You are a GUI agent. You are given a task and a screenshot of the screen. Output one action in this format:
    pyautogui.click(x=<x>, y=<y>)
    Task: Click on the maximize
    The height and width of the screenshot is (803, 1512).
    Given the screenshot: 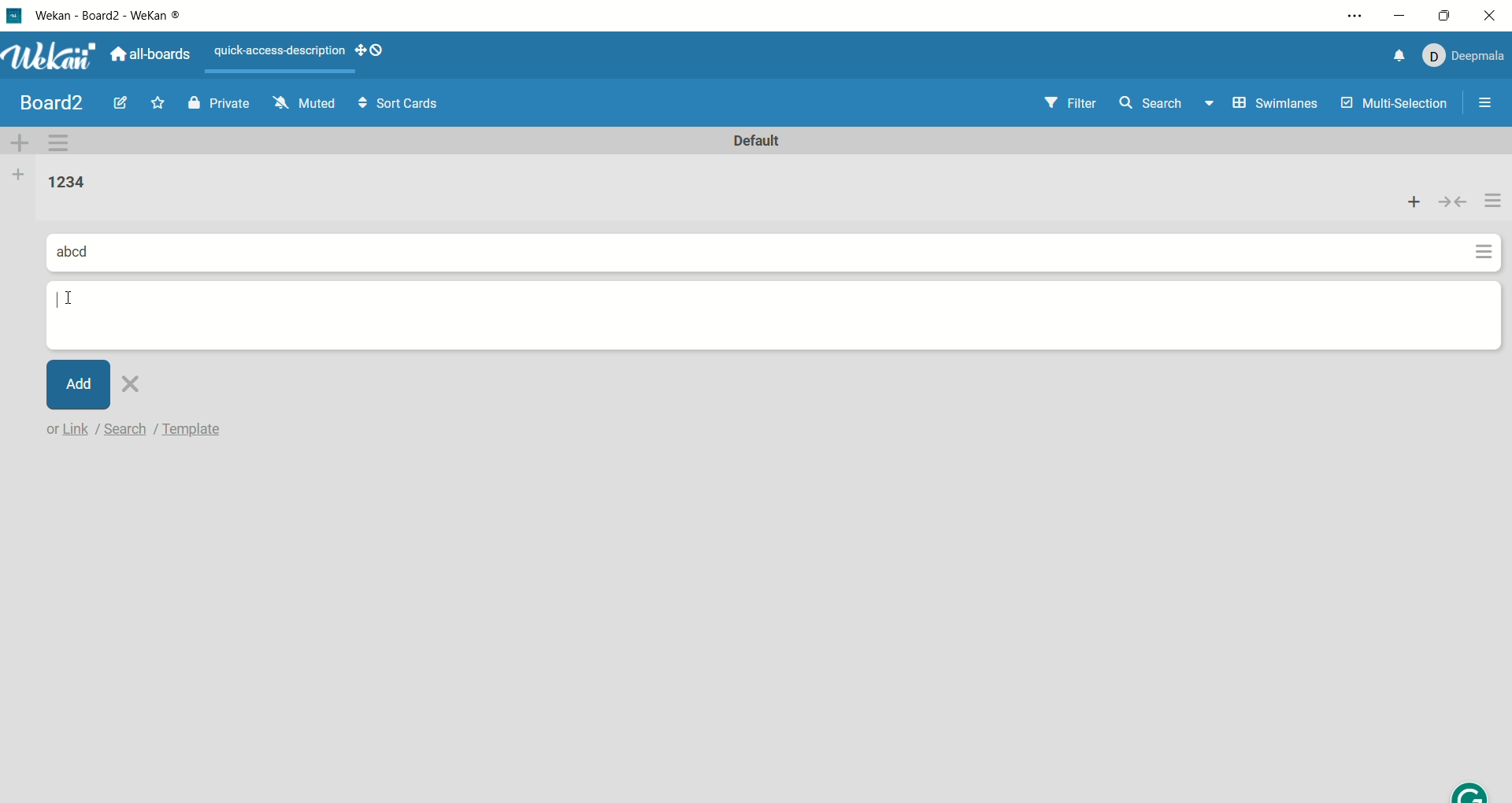 What is the action you would take?
    pyautogui.click(x=1447, y=12)
    